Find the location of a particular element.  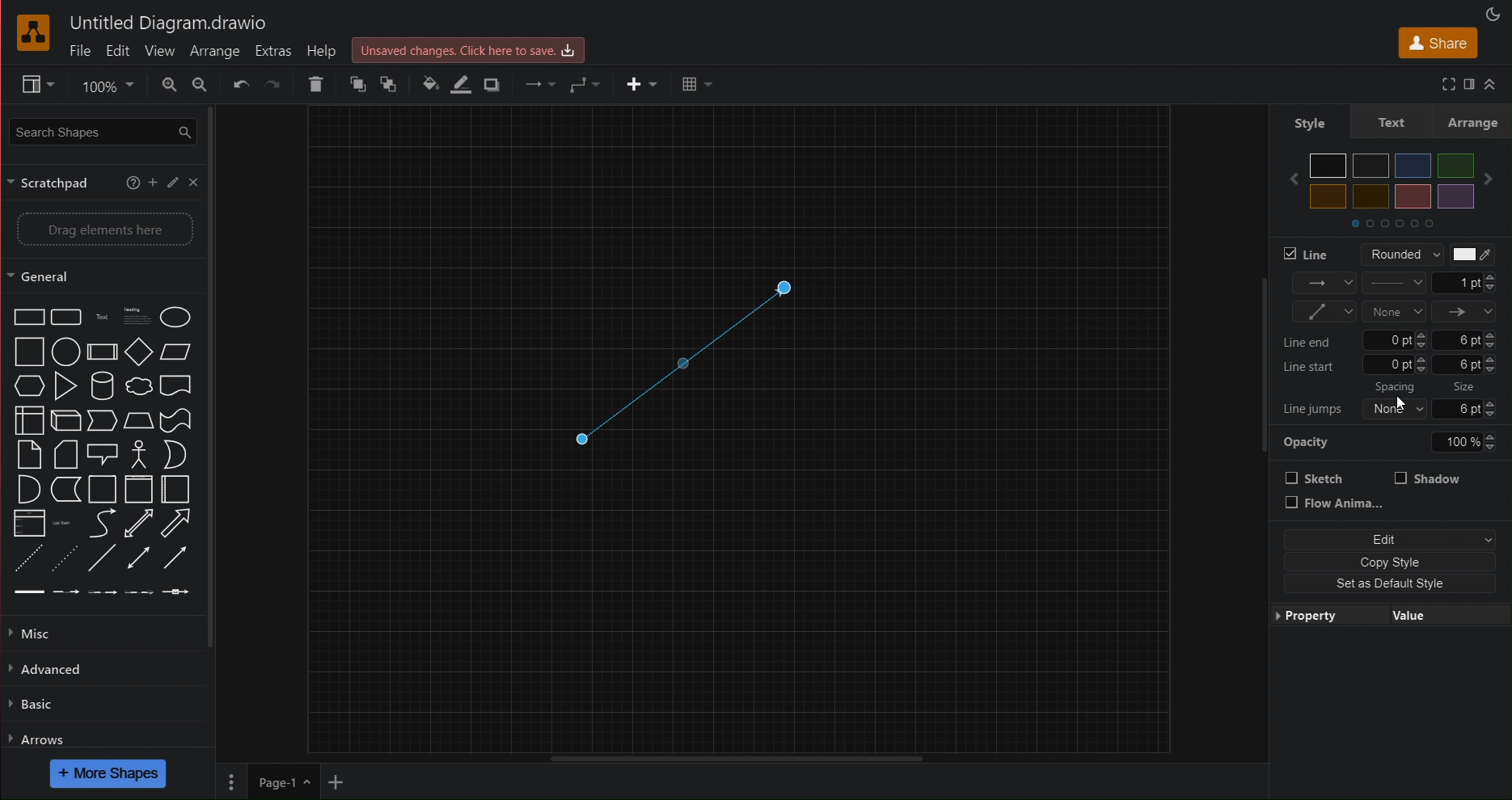

Close is located at coordinates (193, 182).